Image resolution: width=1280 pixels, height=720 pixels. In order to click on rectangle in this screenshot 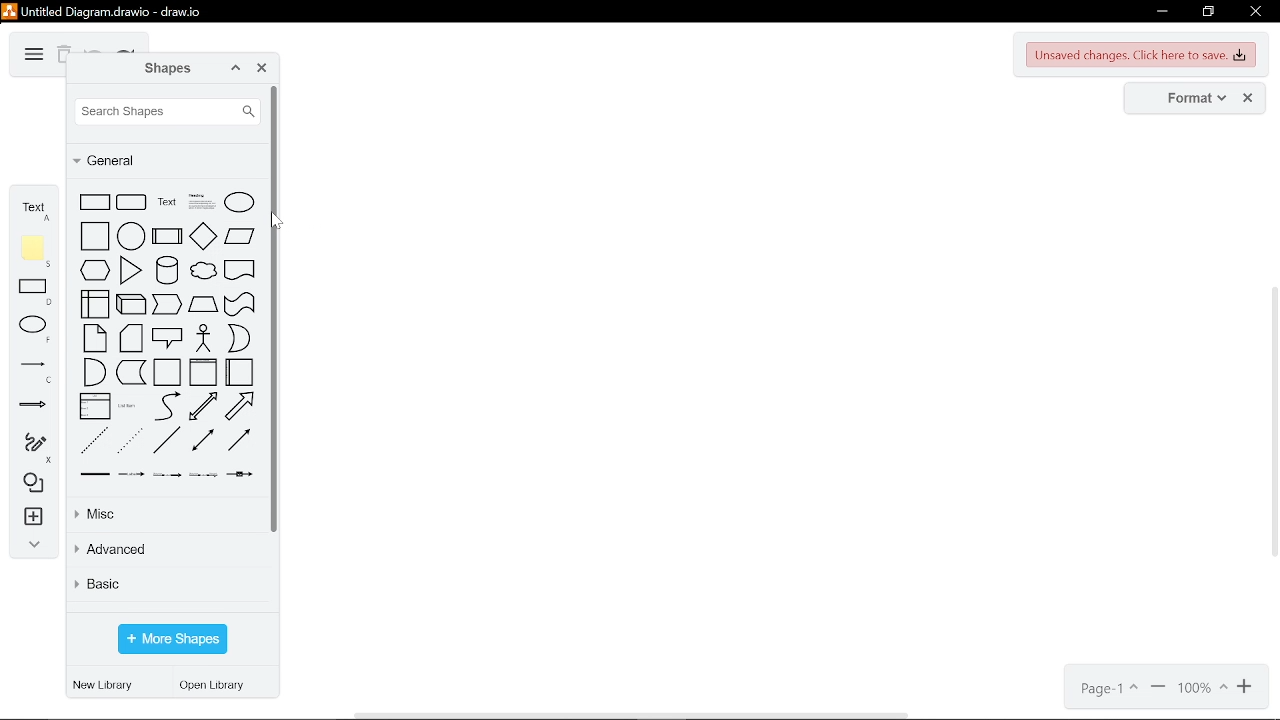, I will do `click(36, 293)`.